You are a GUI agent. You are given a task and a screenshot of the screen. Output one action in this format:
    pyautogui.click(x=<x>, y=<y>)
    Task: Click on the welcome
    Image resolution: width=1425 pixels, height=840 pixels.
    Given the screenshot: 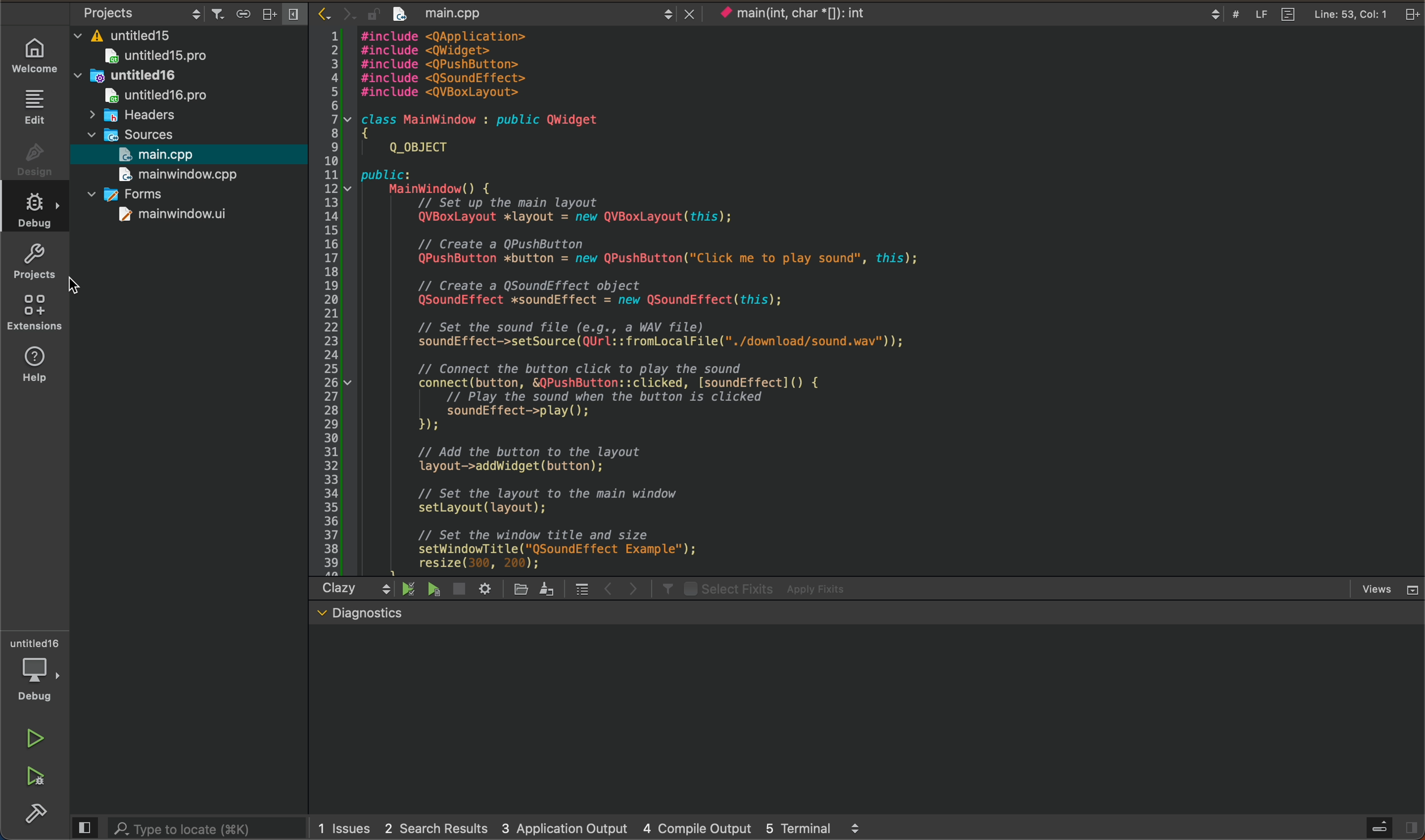 What is the action you would take?
    pyautogui.click(x=38, y=53)
    